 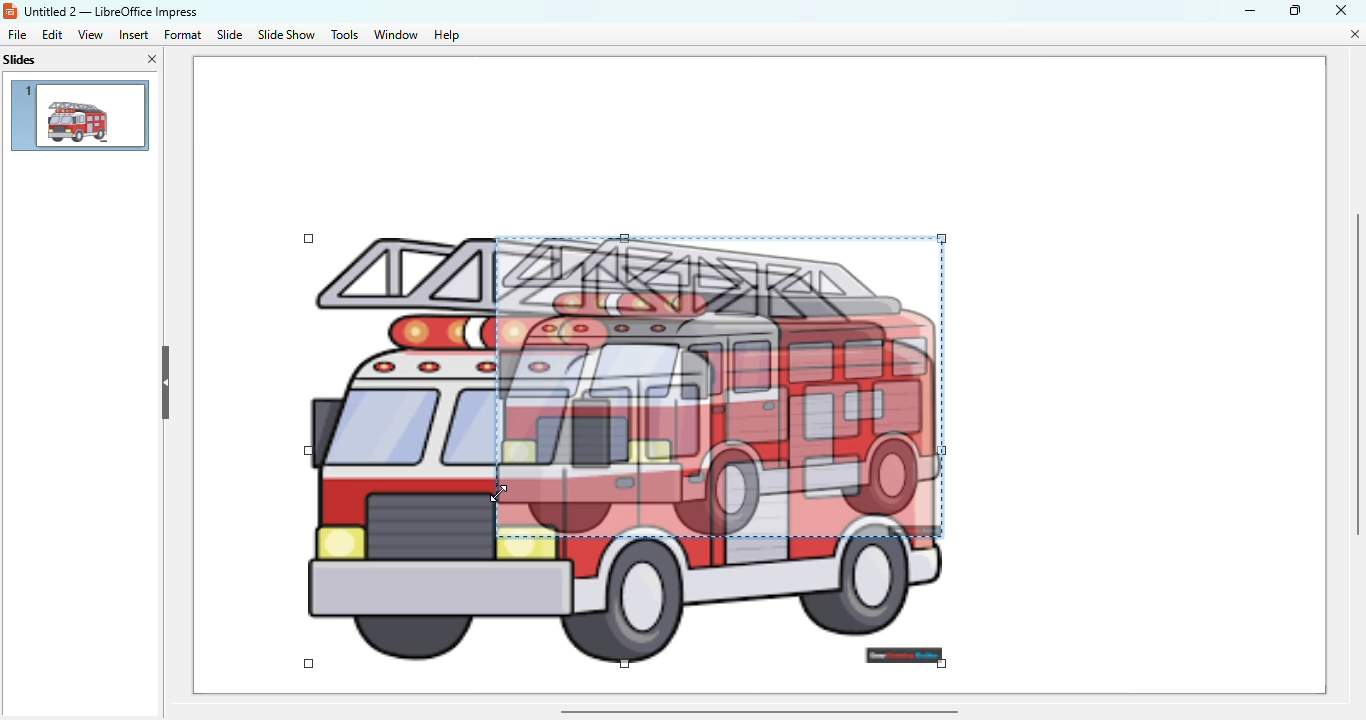 What do you see at coordinates (1251, 11) in the screenshot?
I see `minimize` at bounding box center [1251, 11].